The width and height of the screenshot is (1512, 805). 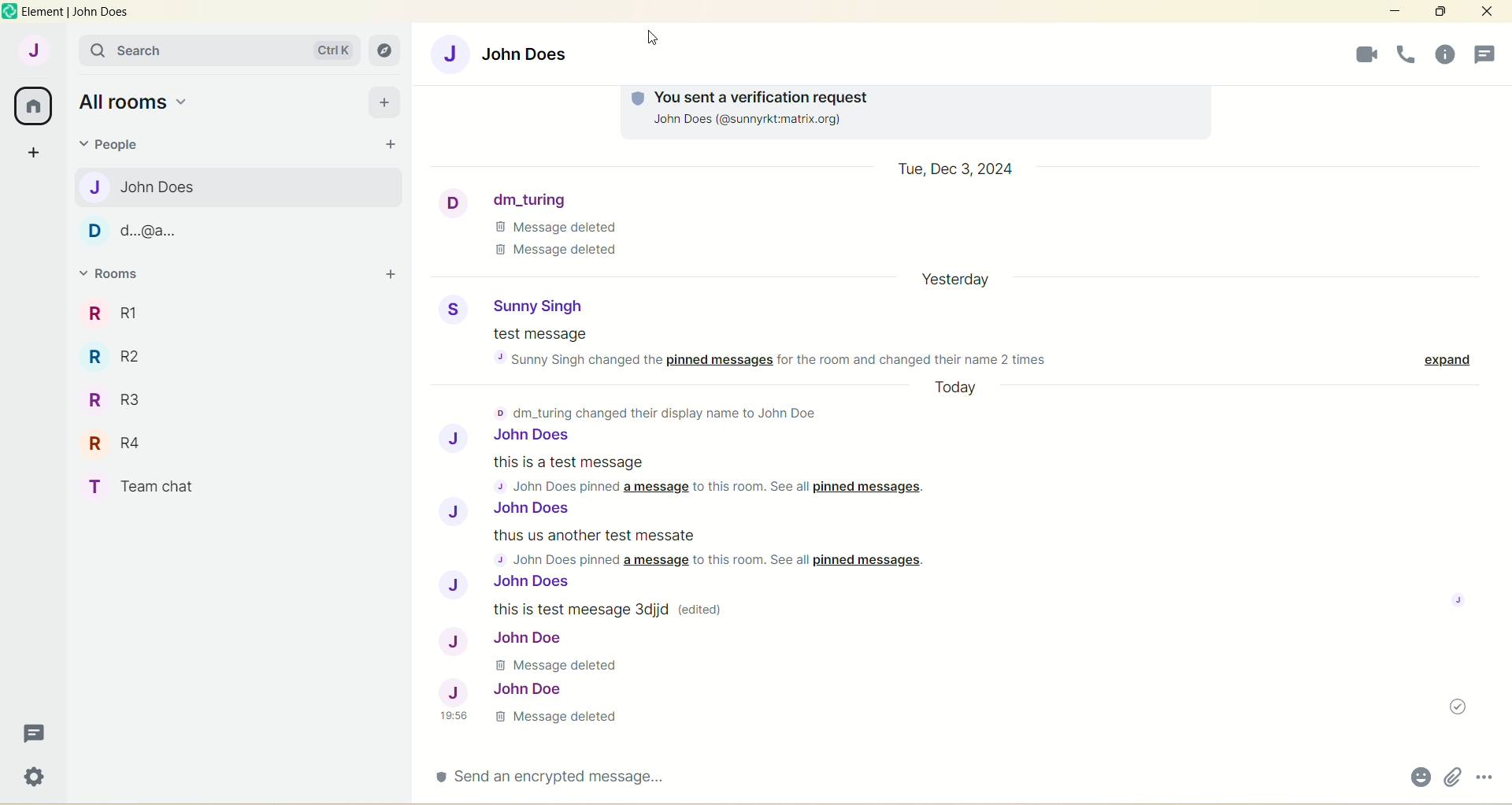 I want to click on room info, so click(x=1404, y=55).